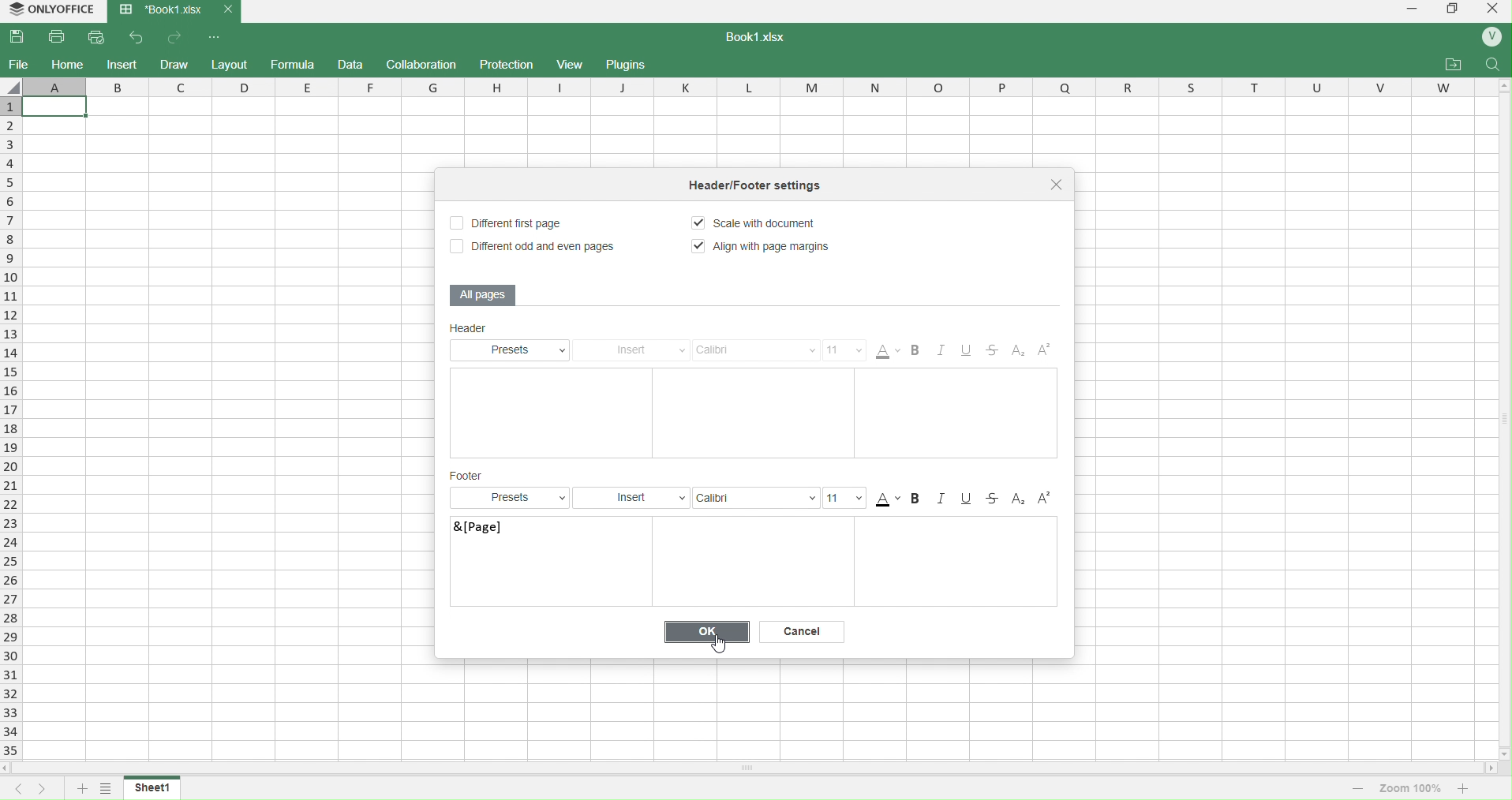  Describe the element at coordinates (1059, 185) in the screenshot. I see `close` at that location.